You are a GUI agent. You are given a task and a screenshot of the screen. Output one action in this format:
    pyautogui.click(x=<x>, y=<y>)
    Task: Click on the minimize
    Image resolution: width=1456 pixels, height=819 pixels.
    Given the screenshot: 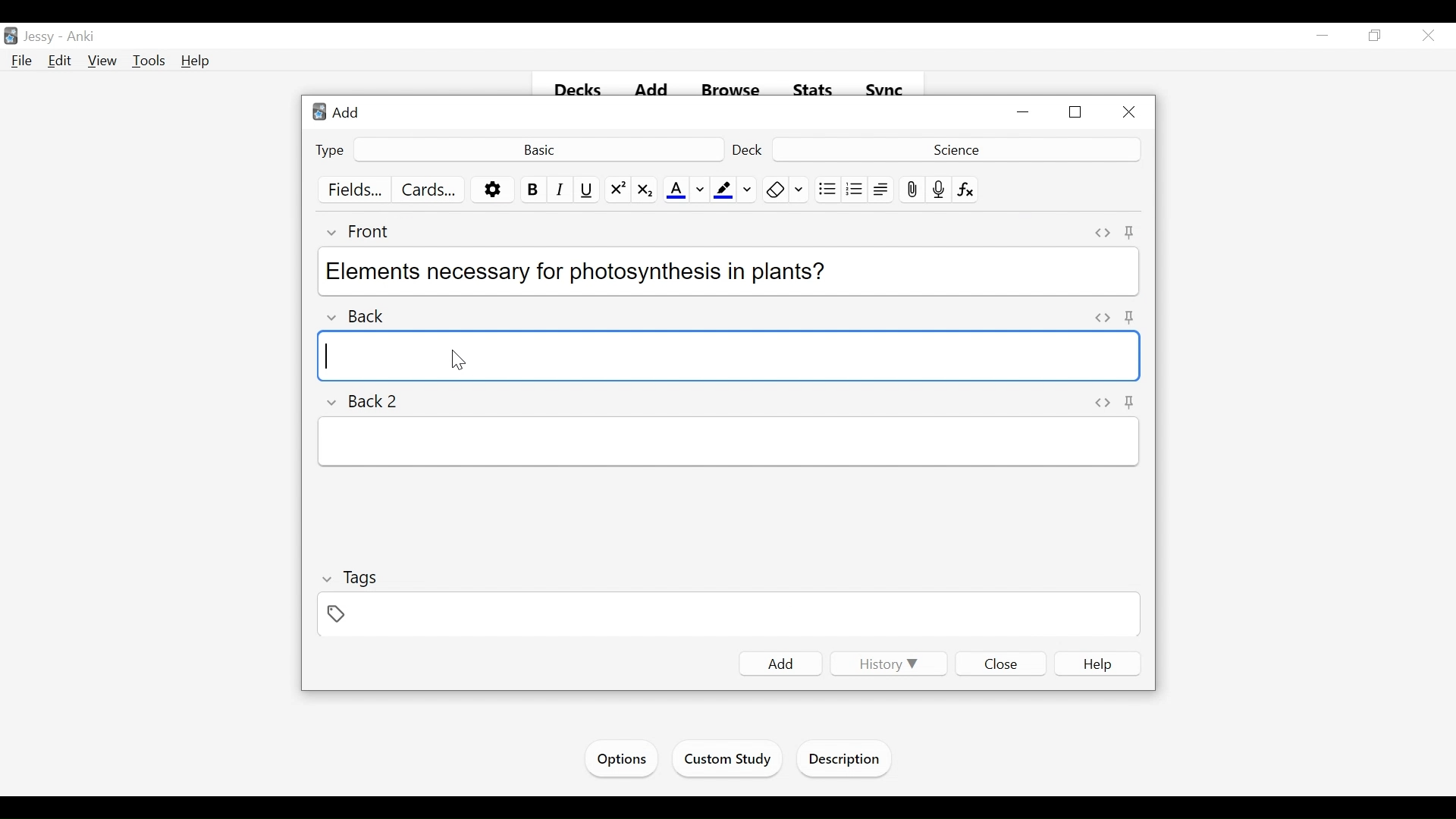 What is the action you would take?
    pyautogui.click(x=1323, y=36)
    